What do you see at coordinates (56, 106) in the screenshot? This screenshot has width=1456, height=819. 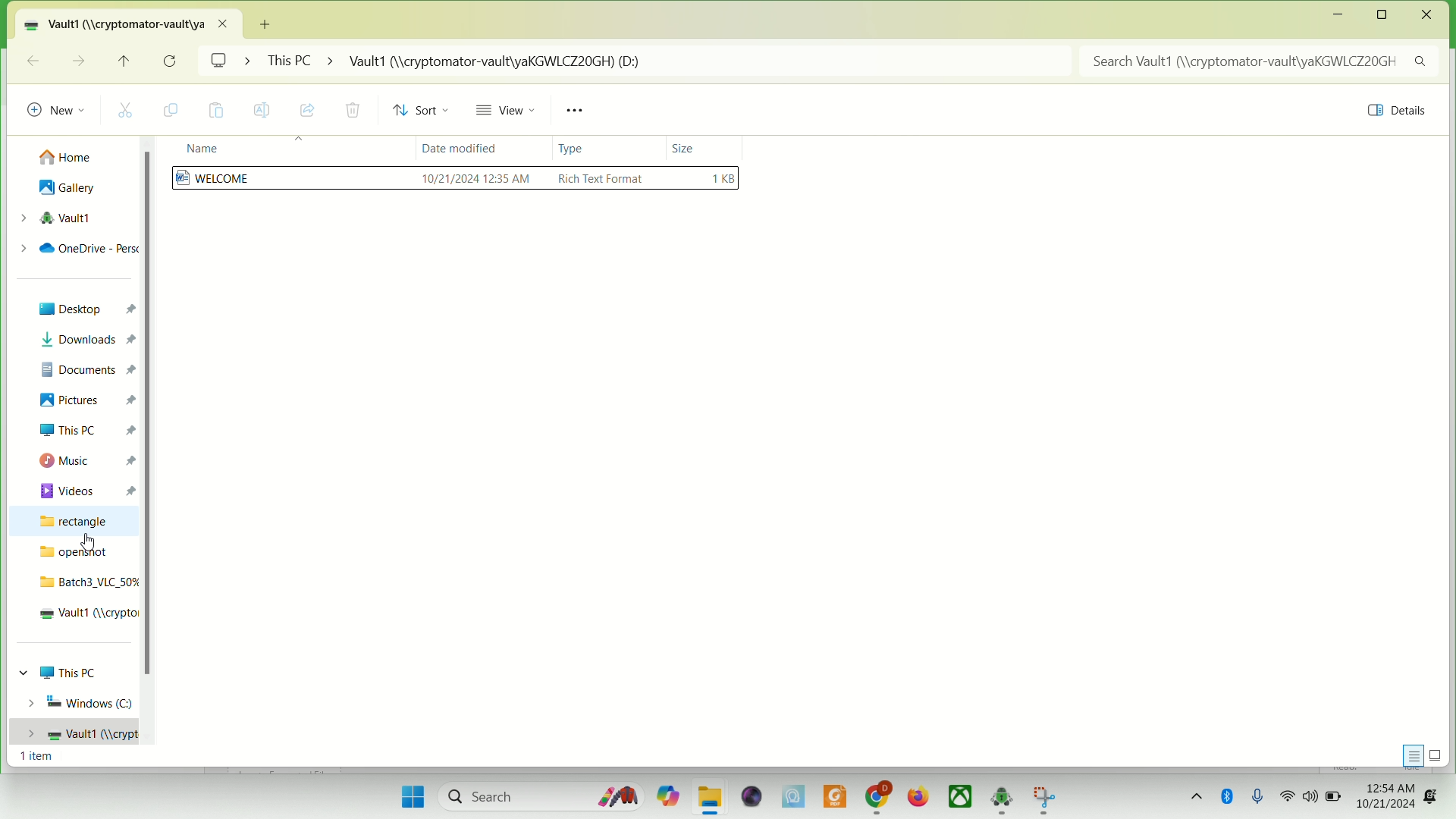 I see `new` at bounding box center [56, 106].